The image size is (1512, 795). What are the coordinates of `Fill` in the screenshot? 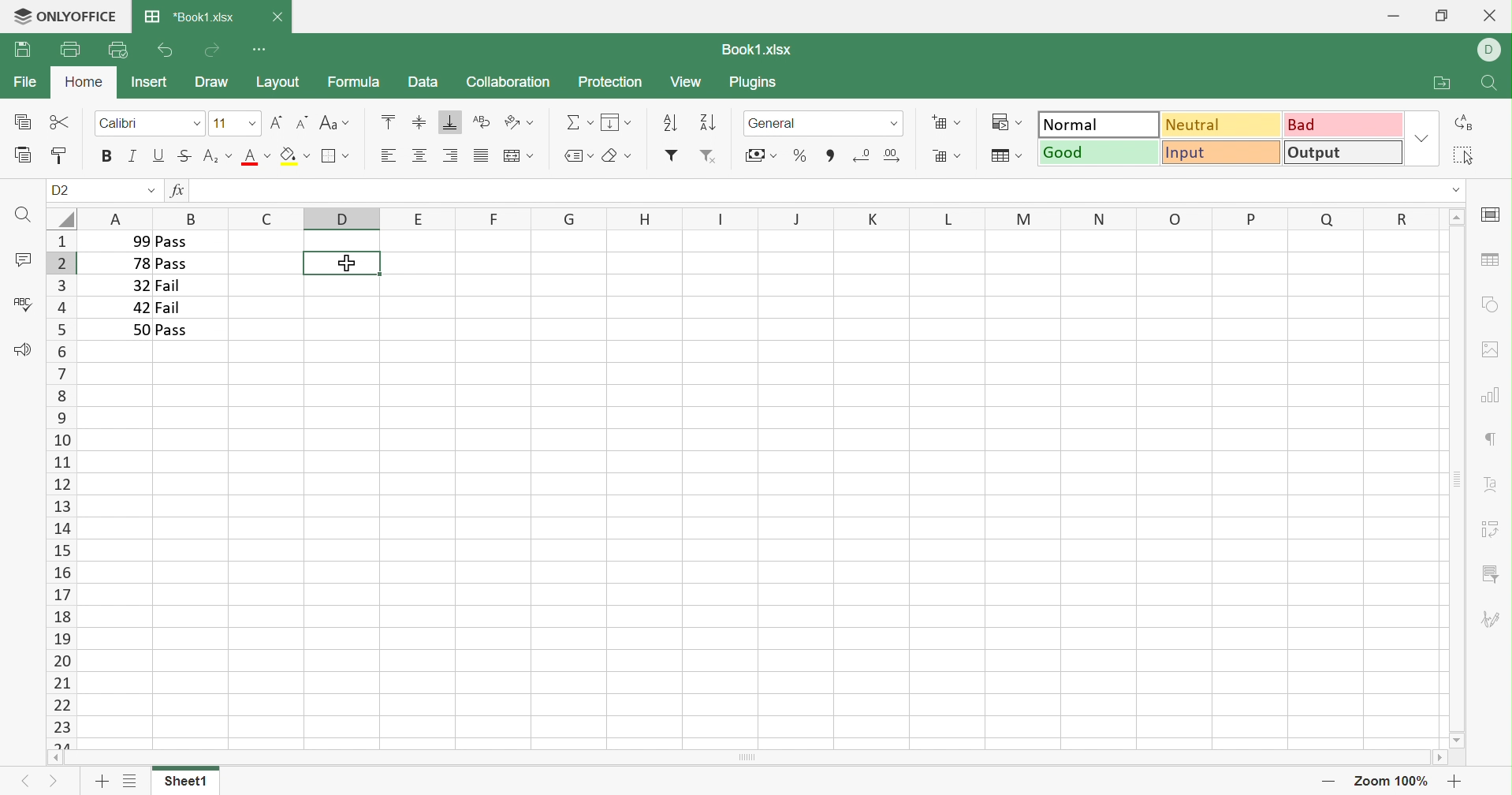 It's located at (616, 122).